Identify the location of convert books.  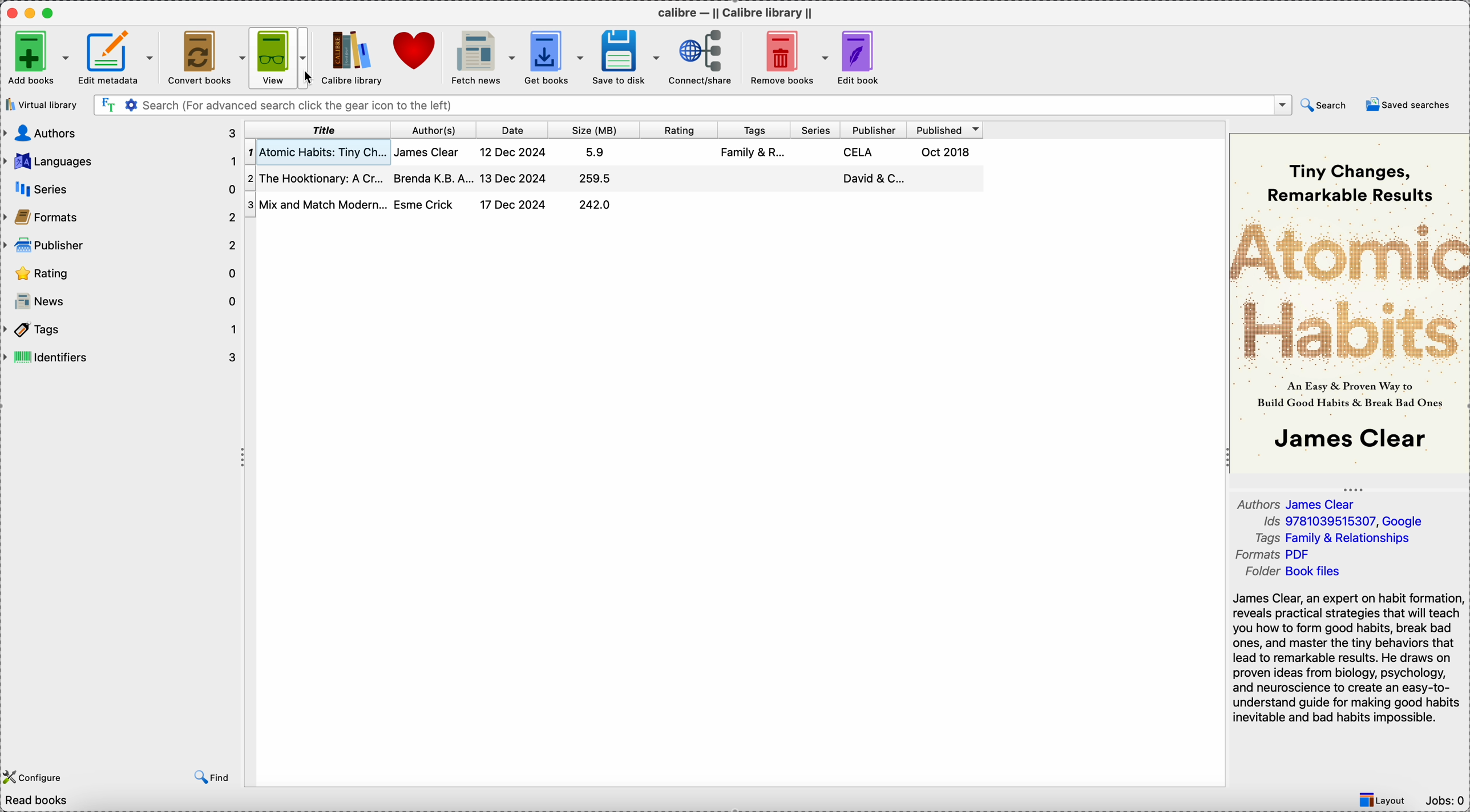
(205, 59).